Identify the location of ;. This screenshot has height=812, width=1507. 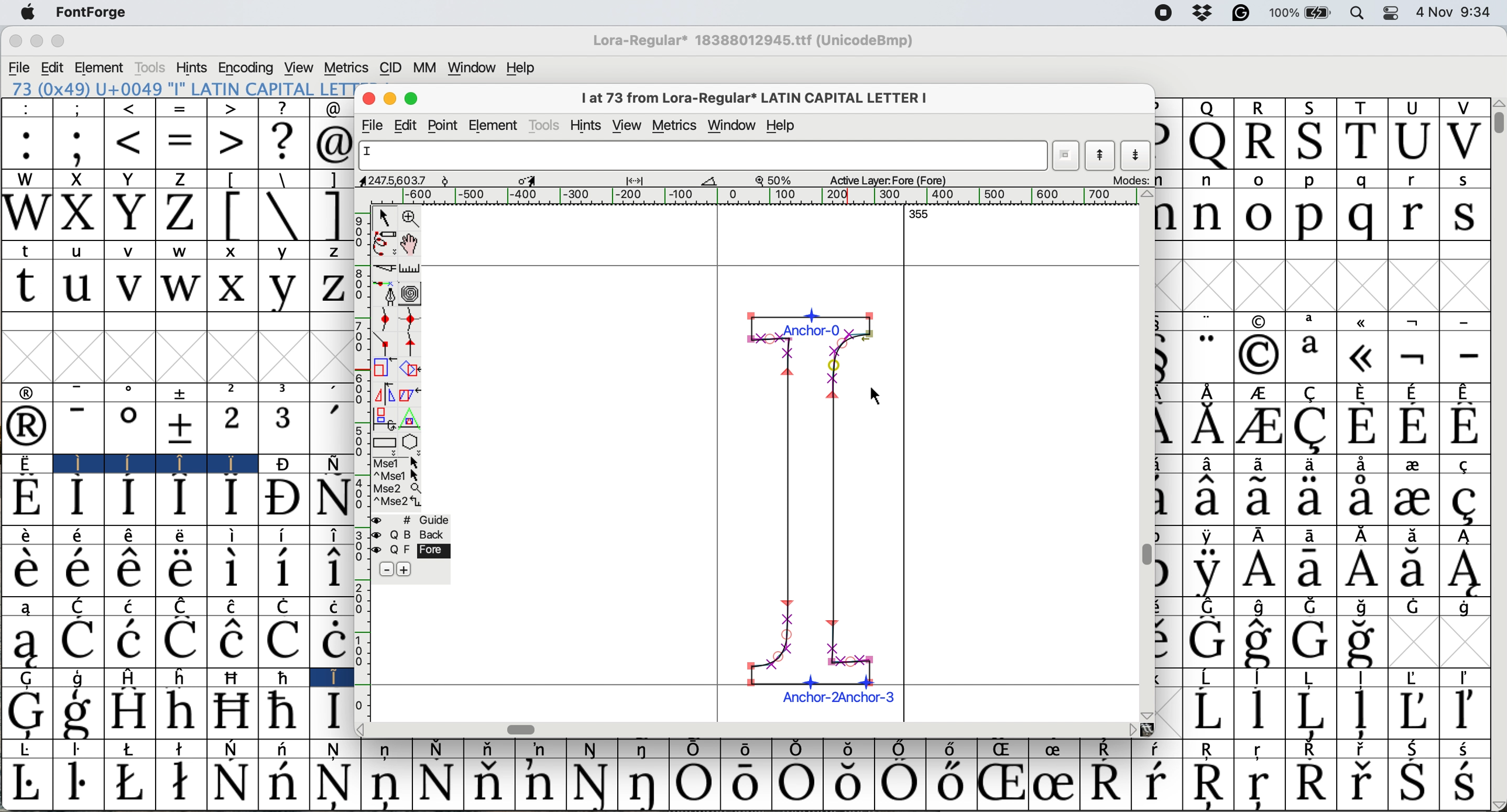
(80, 108).